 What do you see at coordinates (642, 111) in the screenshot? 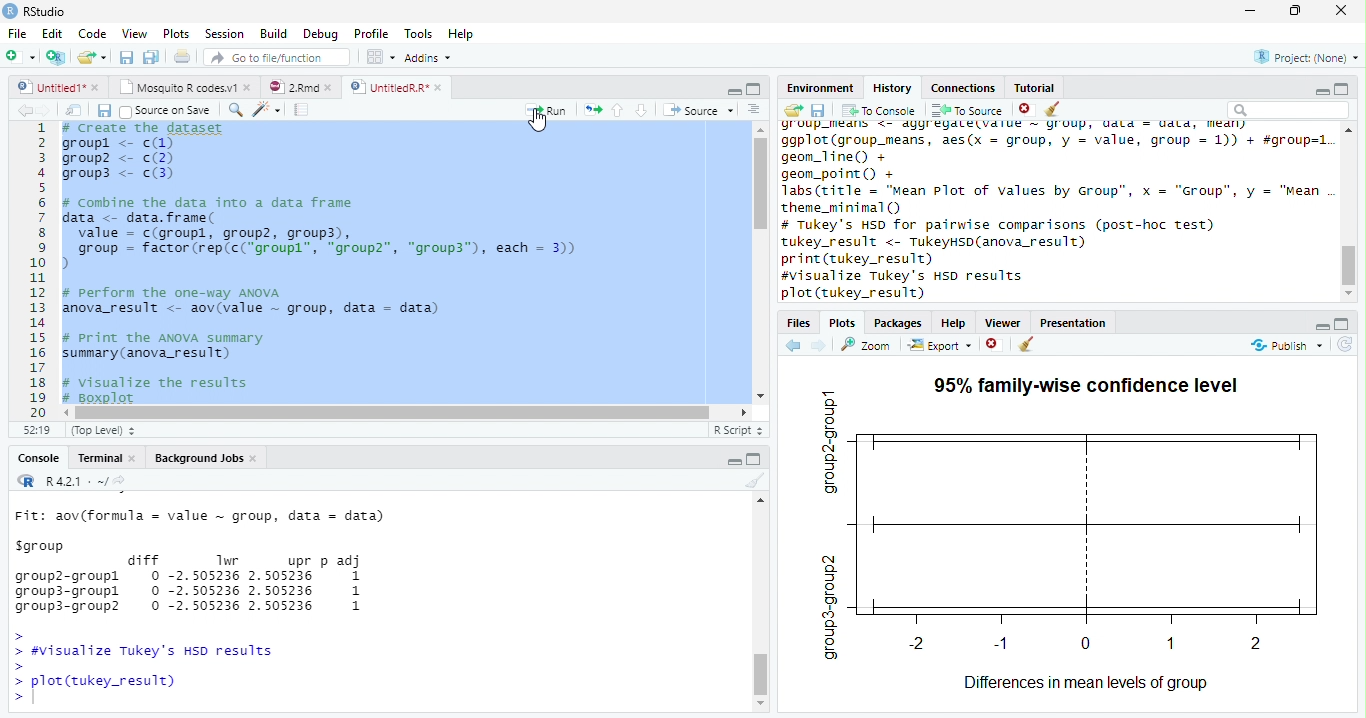
I see `Go to next section ` at bounding box center [642, 111].